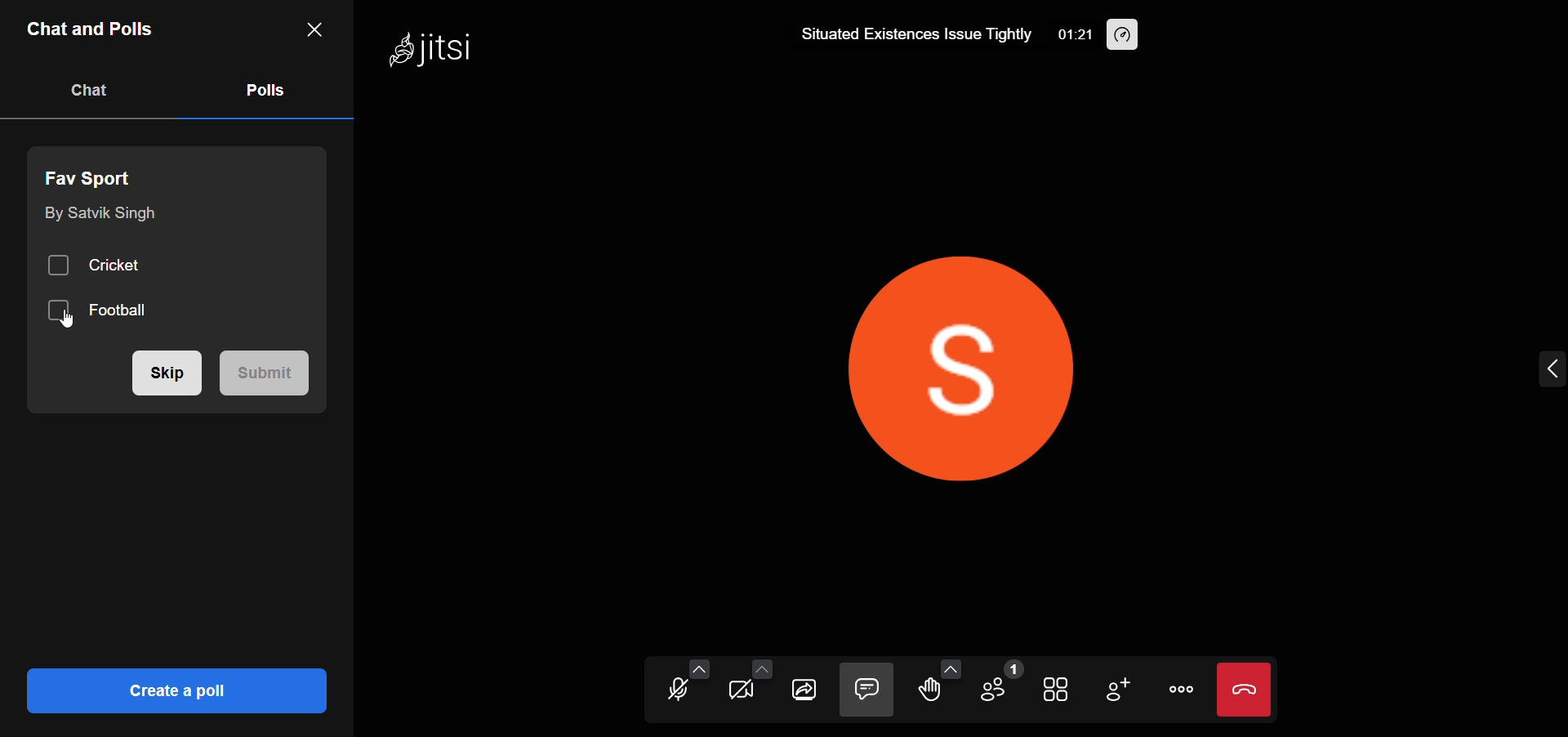 Image resolution: width=1568 pixels, height=737 pixels. I want to click on more audio option, so click(696, 667).